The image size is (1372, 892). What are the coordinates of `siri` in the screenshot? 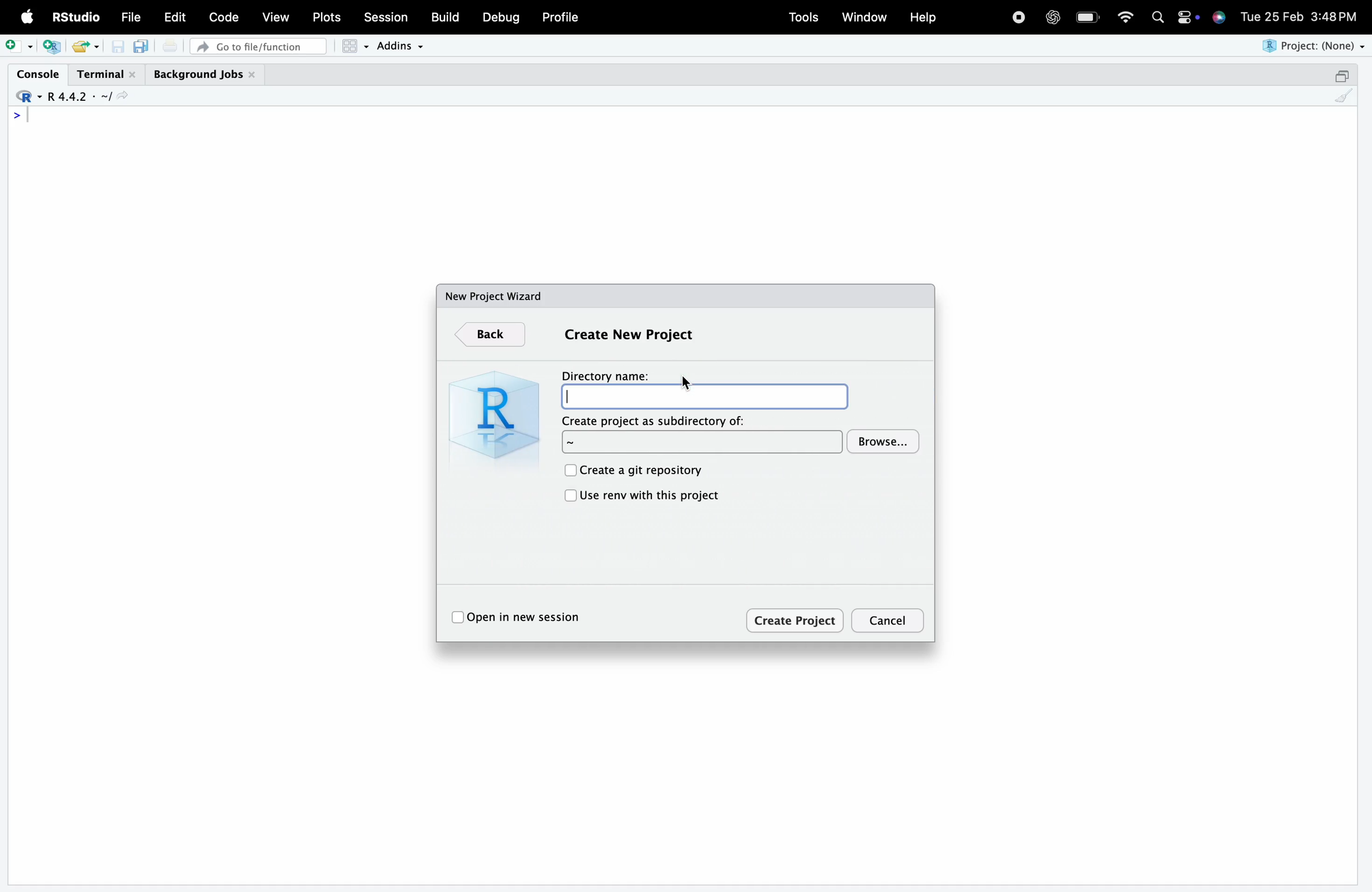 It's located at (1219, 16).